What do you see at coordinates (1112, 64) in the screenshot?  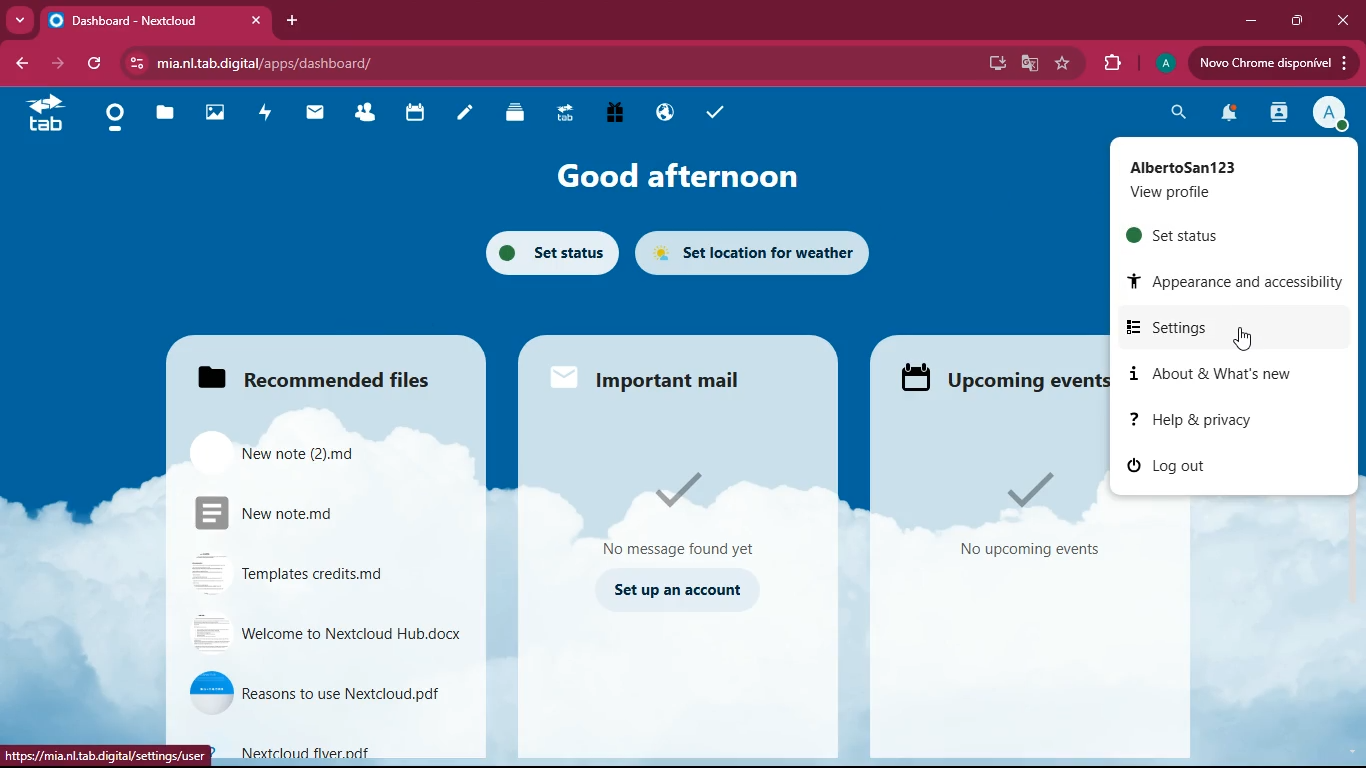 I see `extensions` at bounding box center [1112, 64].